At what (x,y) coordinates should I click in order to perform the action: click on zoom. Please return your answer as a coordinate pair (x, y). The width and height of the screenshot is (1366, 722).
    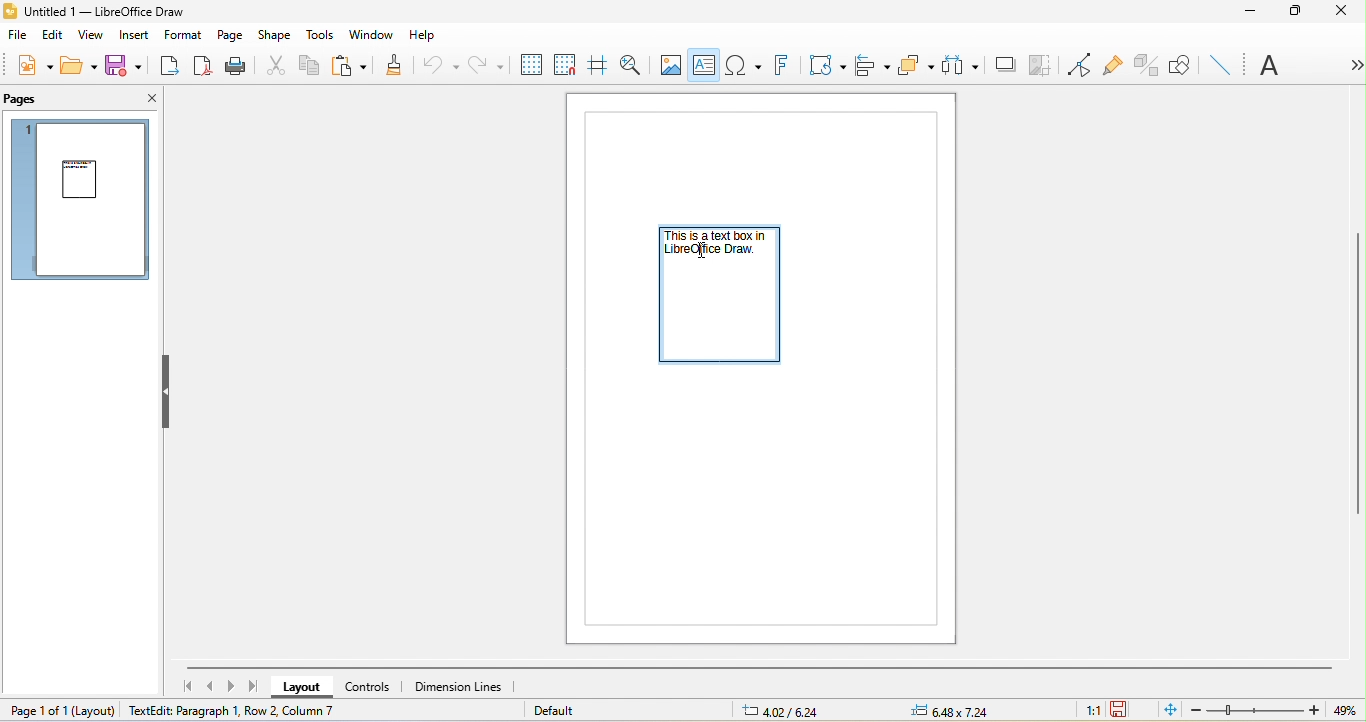
    Looking at the image, I should click on (1275, 710).